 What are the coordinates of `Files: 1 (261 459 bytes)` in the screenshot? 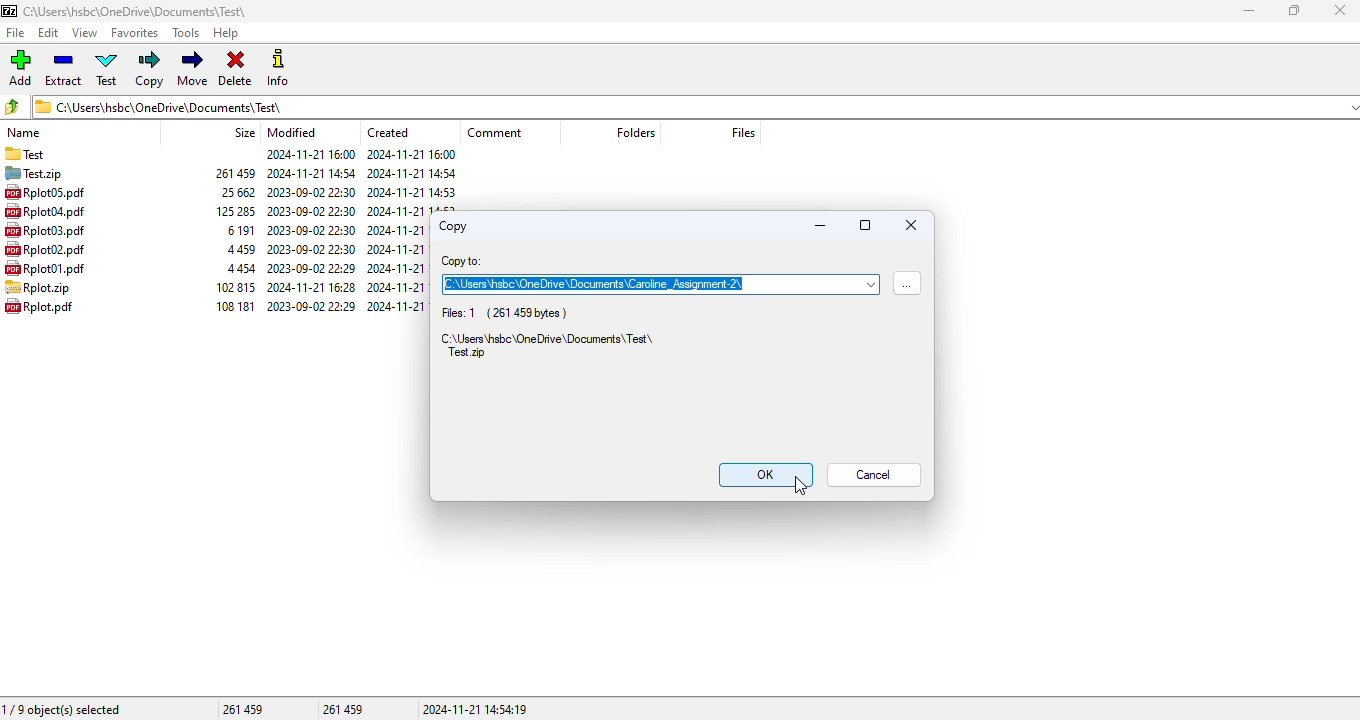 It's located at (504, 313).